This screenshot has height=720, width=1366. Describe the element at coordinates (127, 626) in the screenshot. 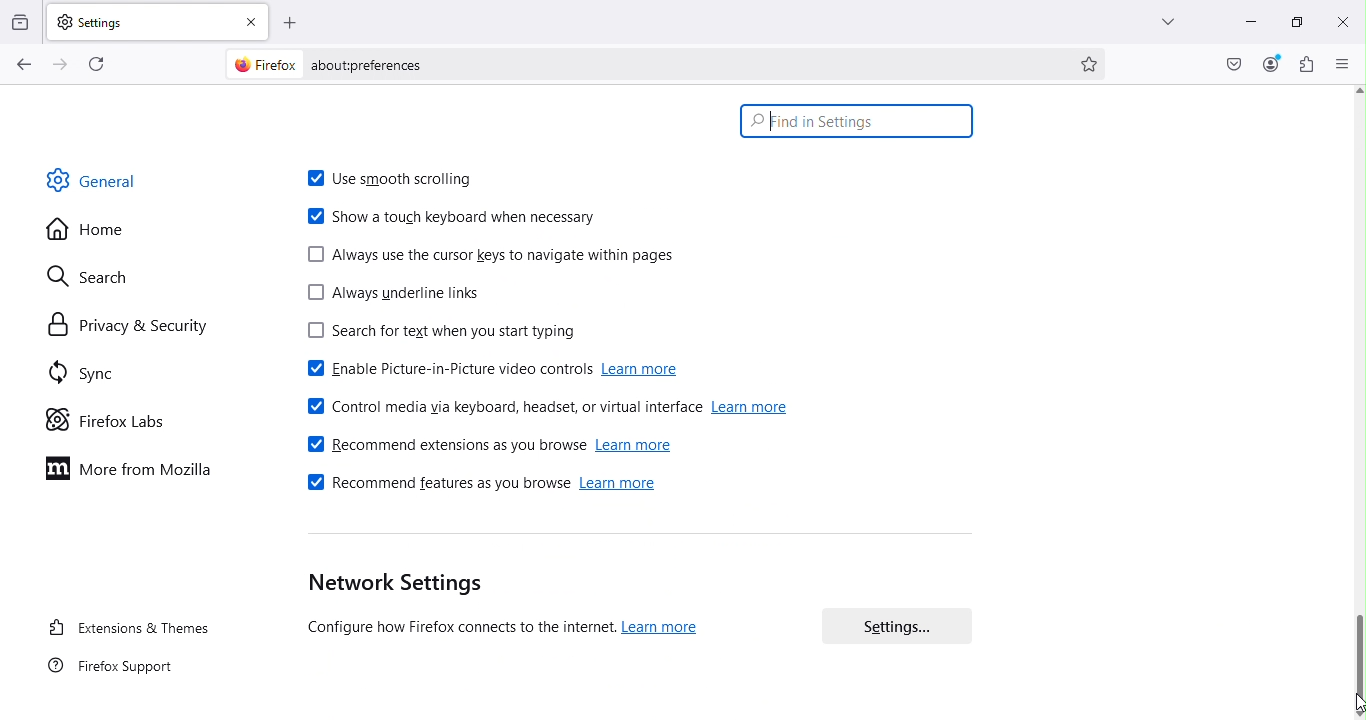

I see `Extensions and themes` at that location.